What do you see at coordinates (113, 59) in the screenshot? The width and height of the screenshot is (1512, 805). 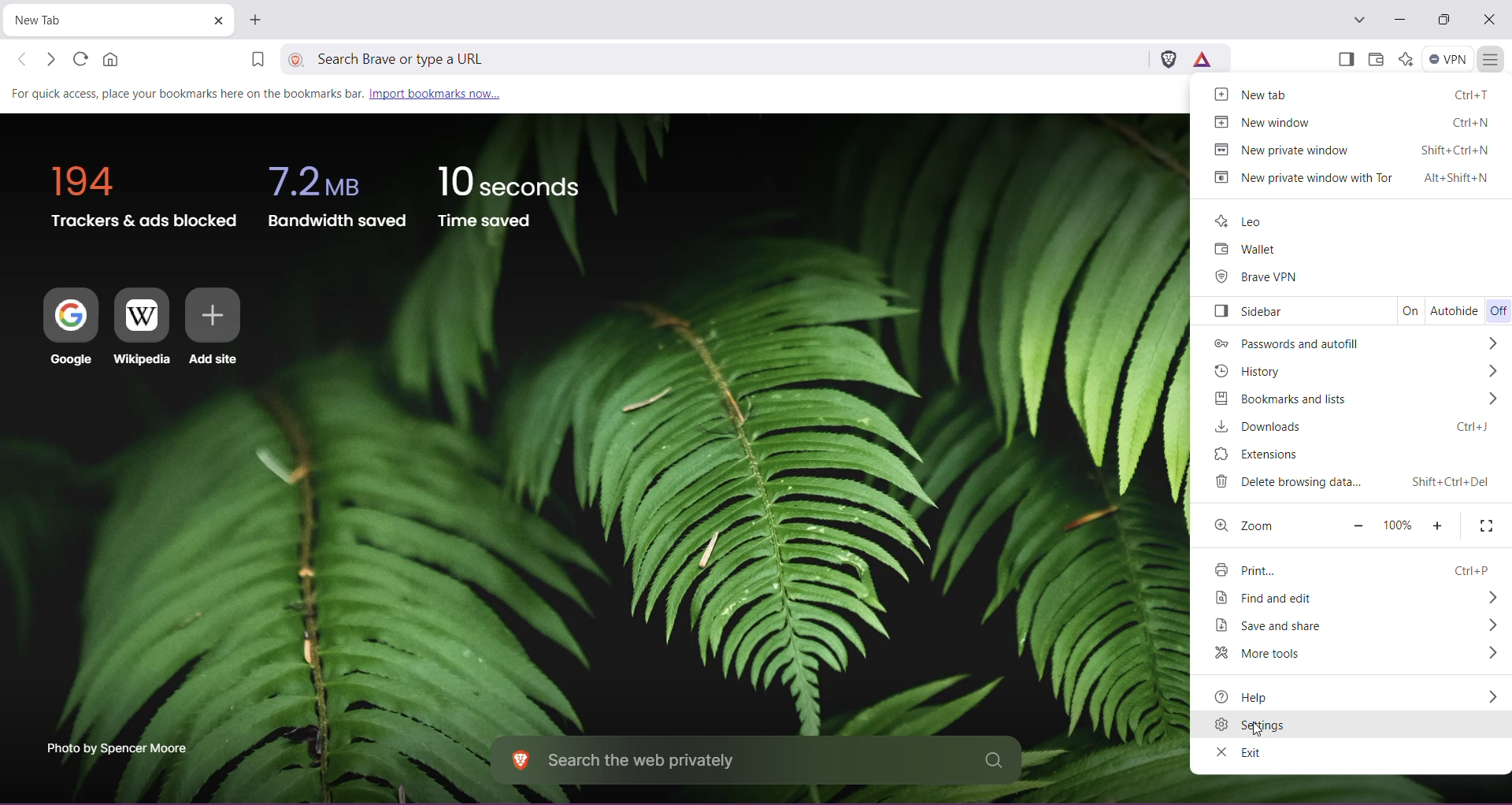 I see `Open the Homepage` at bounding box center [113, 59].